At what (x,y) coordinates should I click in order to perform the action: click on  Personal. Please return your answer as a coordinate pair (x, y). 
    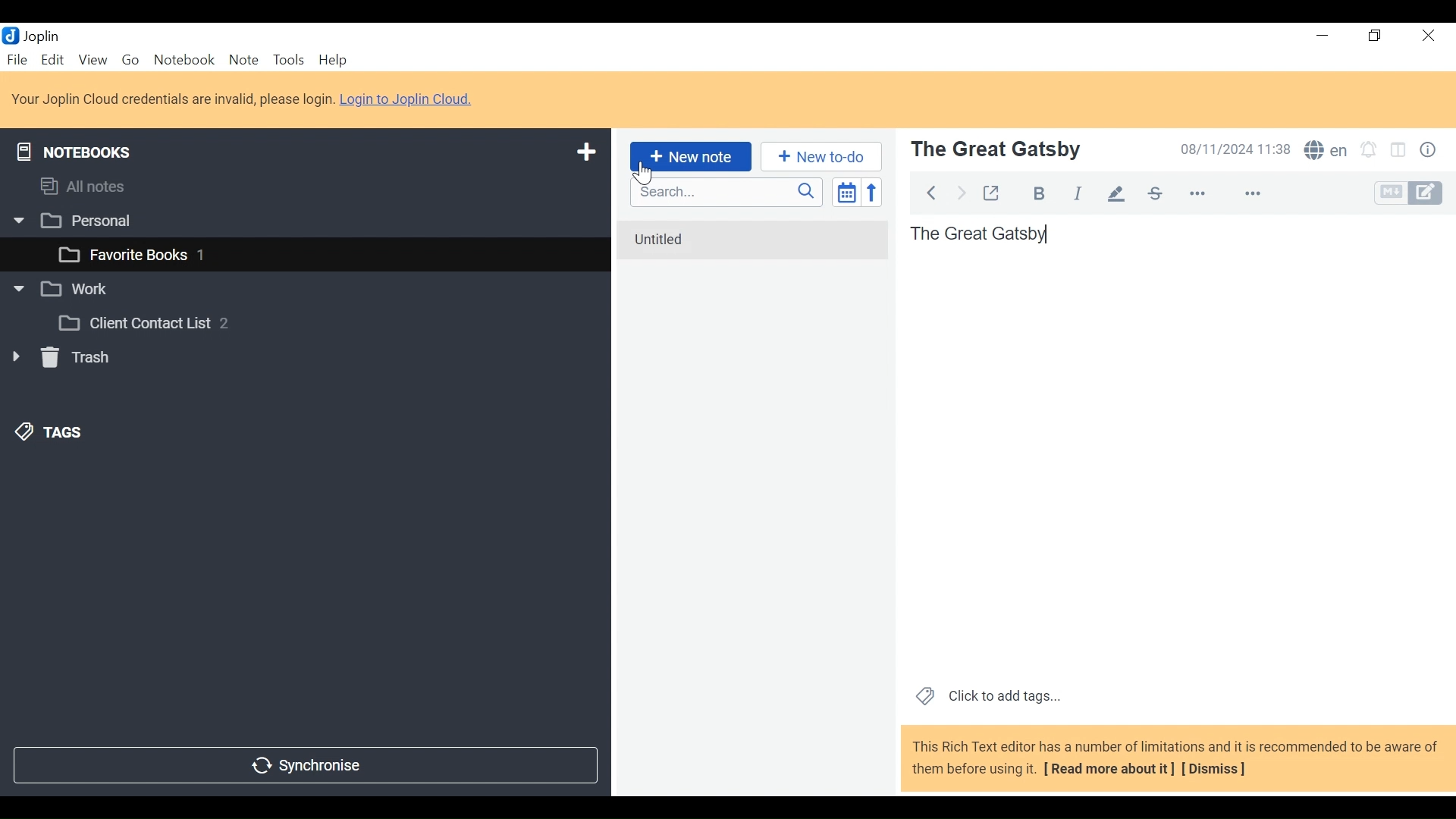
    Looking at the image, I should click on (71, 221).